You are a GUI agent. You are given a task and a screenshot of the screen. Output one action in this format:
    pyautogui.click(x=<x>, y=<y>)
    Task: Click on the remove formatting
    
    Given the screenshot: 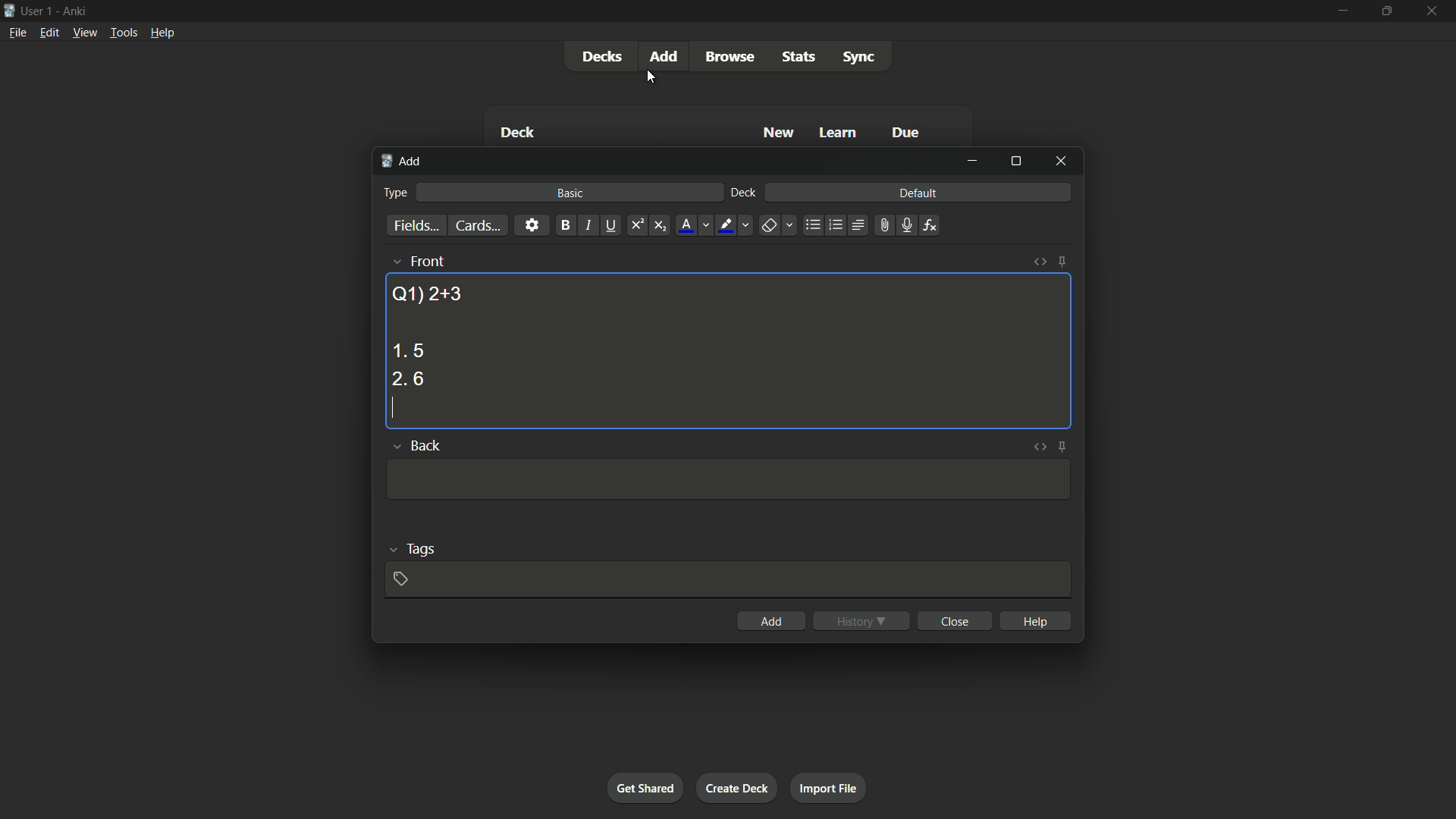 What is the action you would take?
    pyautogui.click(x=769, y=227)
    